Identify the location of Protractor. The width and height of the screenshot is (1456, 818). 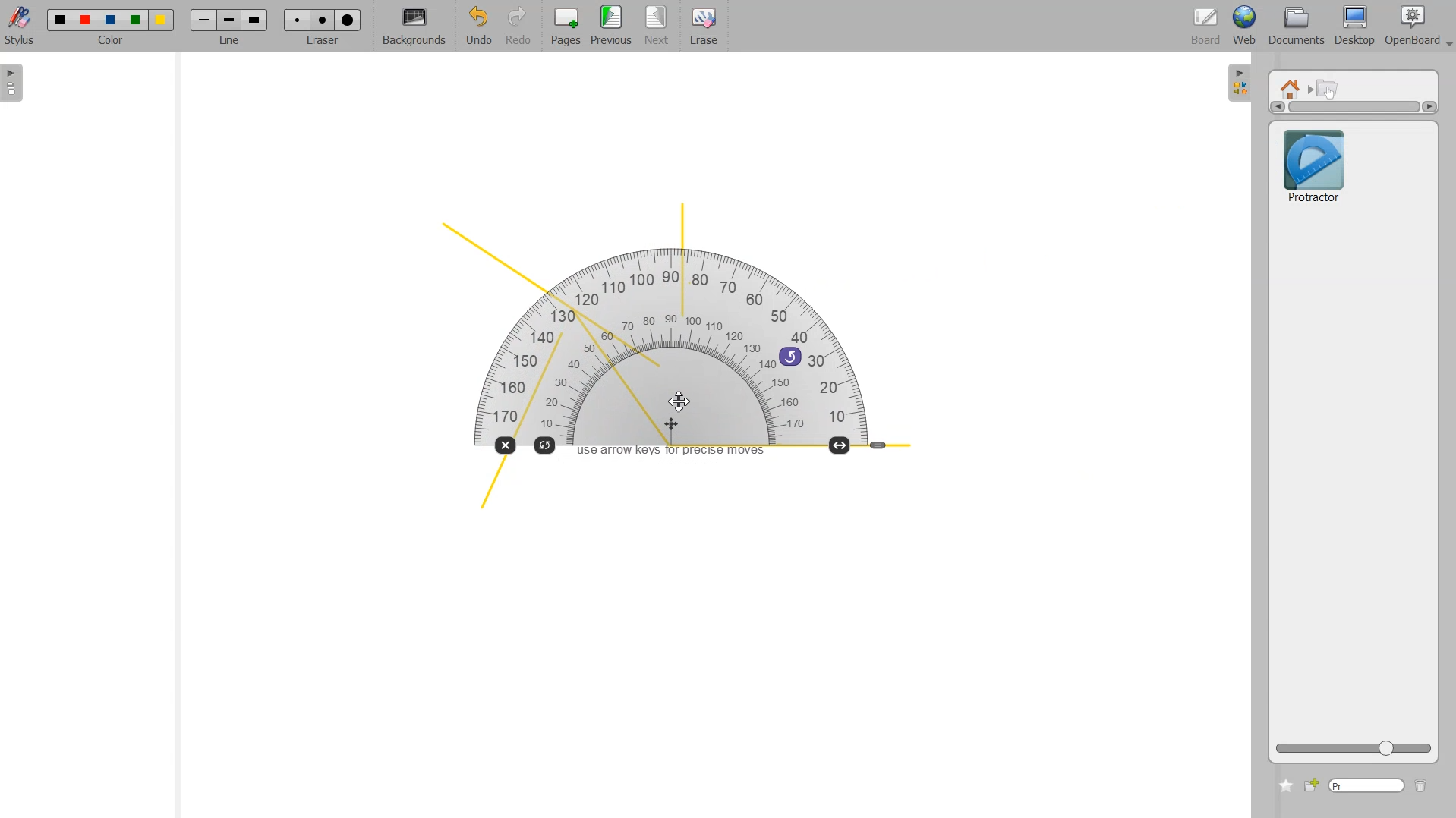
(1313, 164).